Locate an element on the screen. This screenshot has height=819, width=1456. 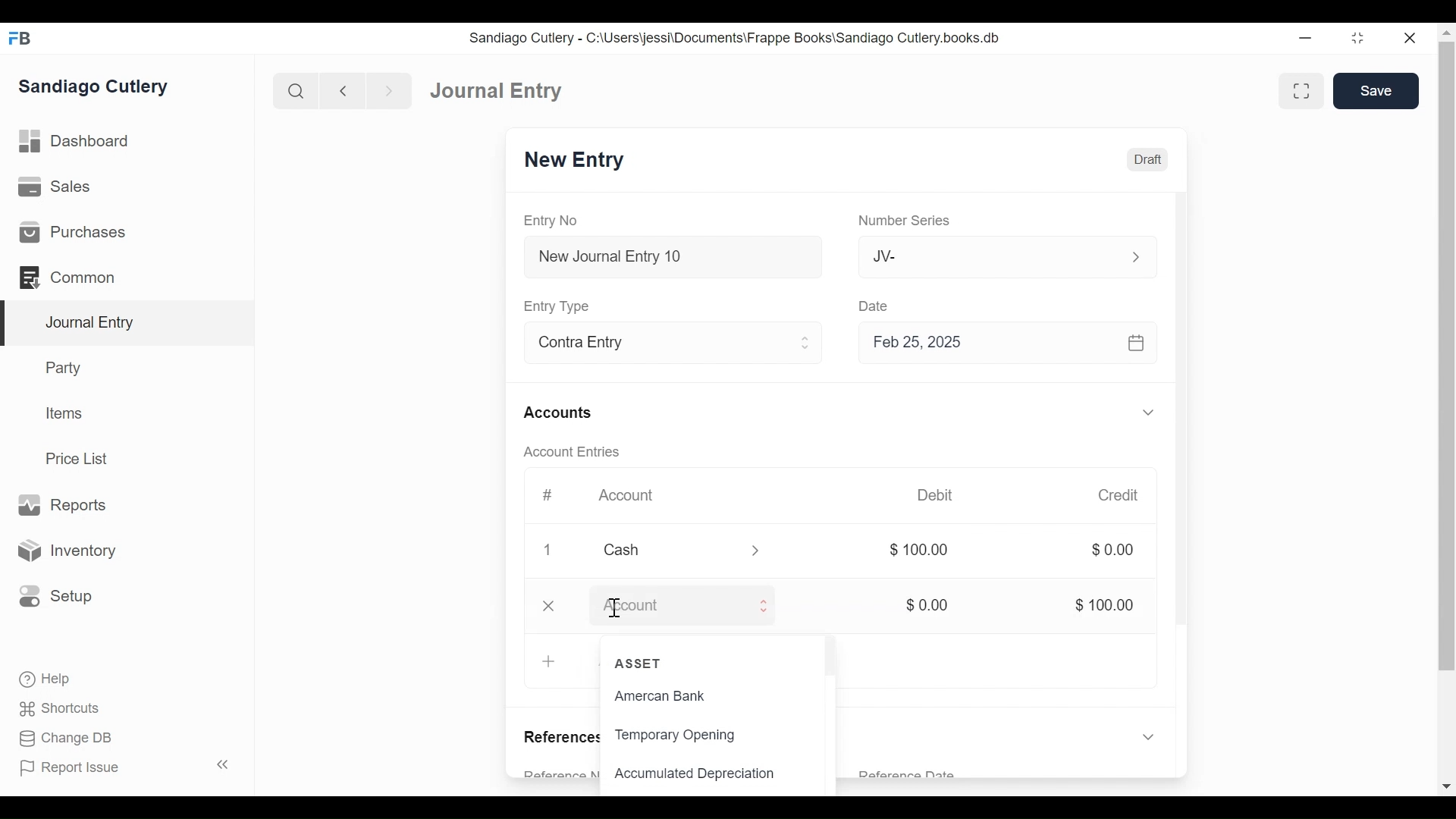
Credit is located at coordinates (1121, 497).